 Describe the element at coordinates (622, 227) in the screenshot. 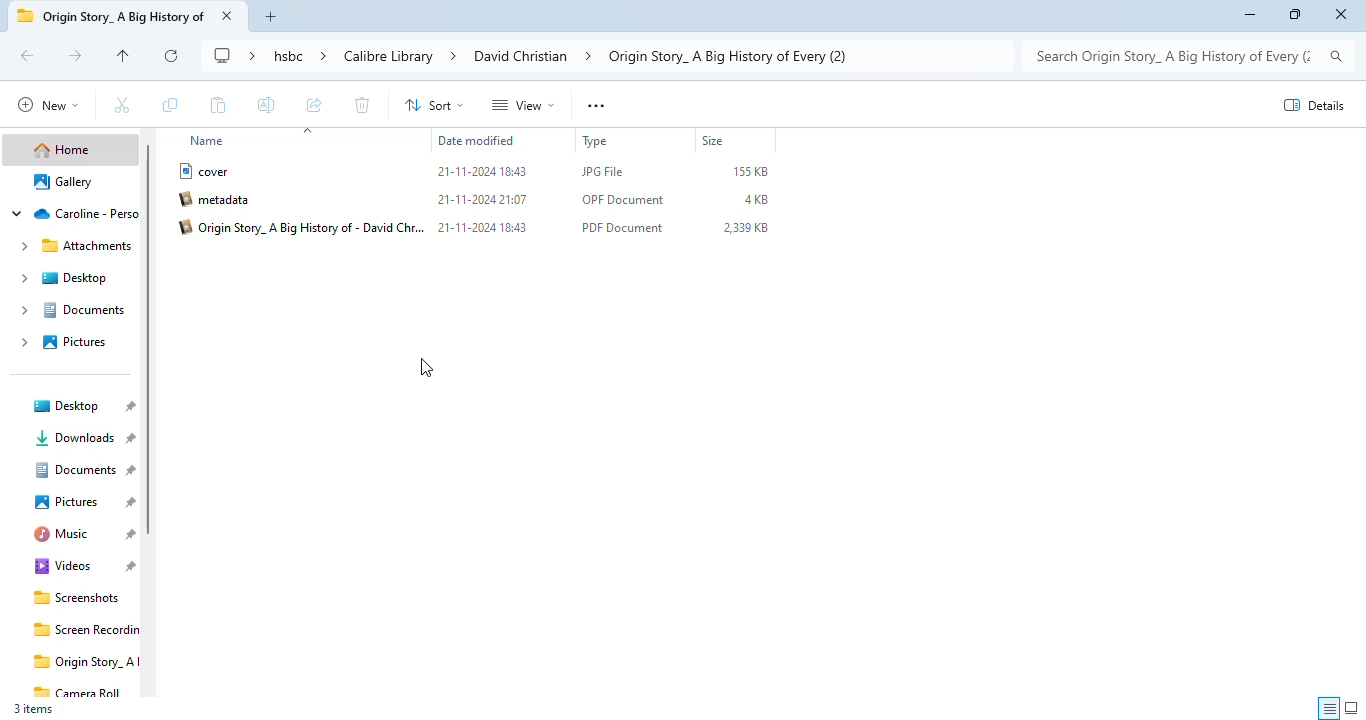

I see `file type` at that location.